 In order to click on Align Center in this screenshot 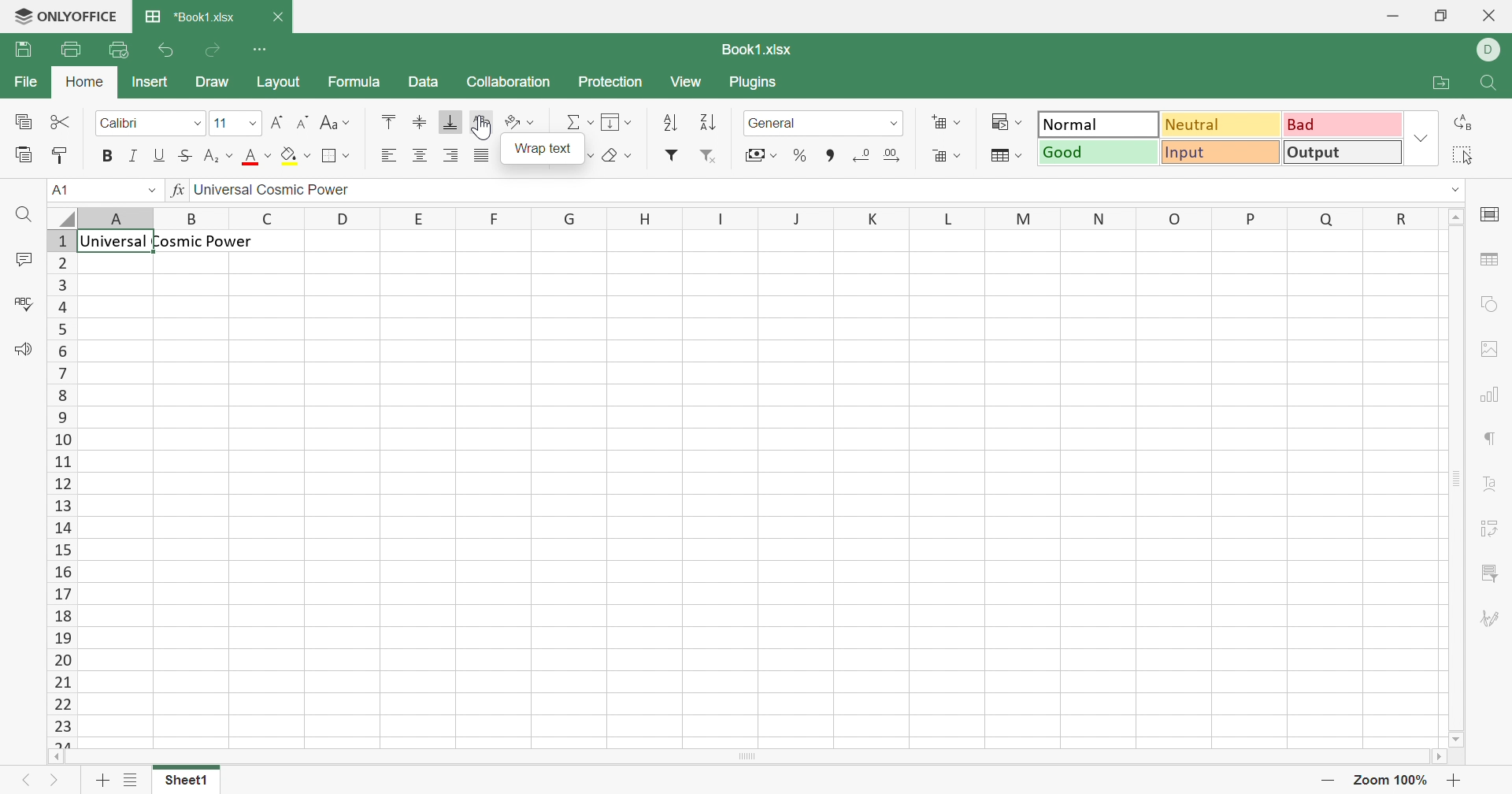, I will do `click(420, 156)`.